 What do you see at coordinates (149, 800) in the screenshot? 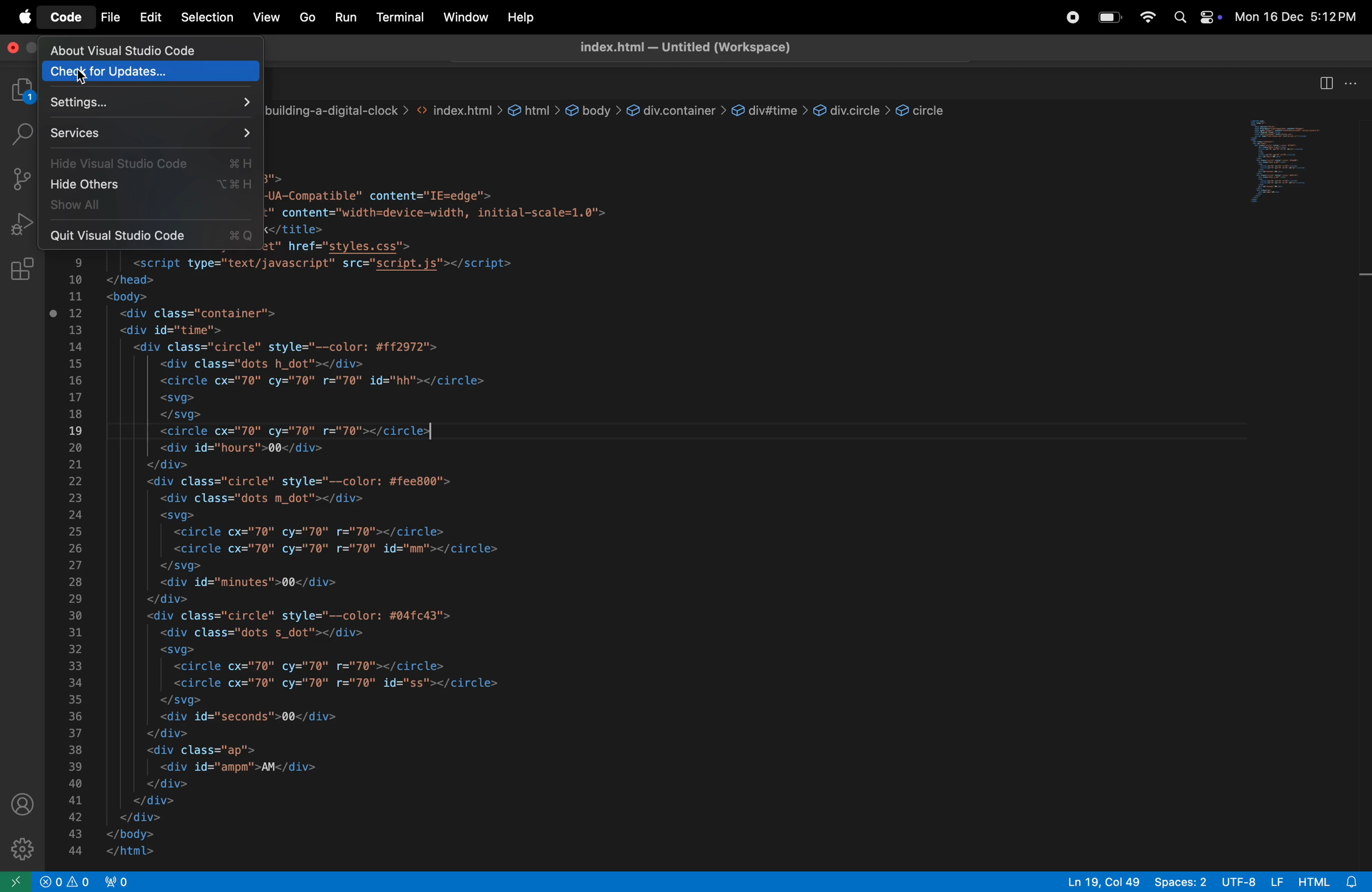
I see `</div>` at bounding box center [149, 800].